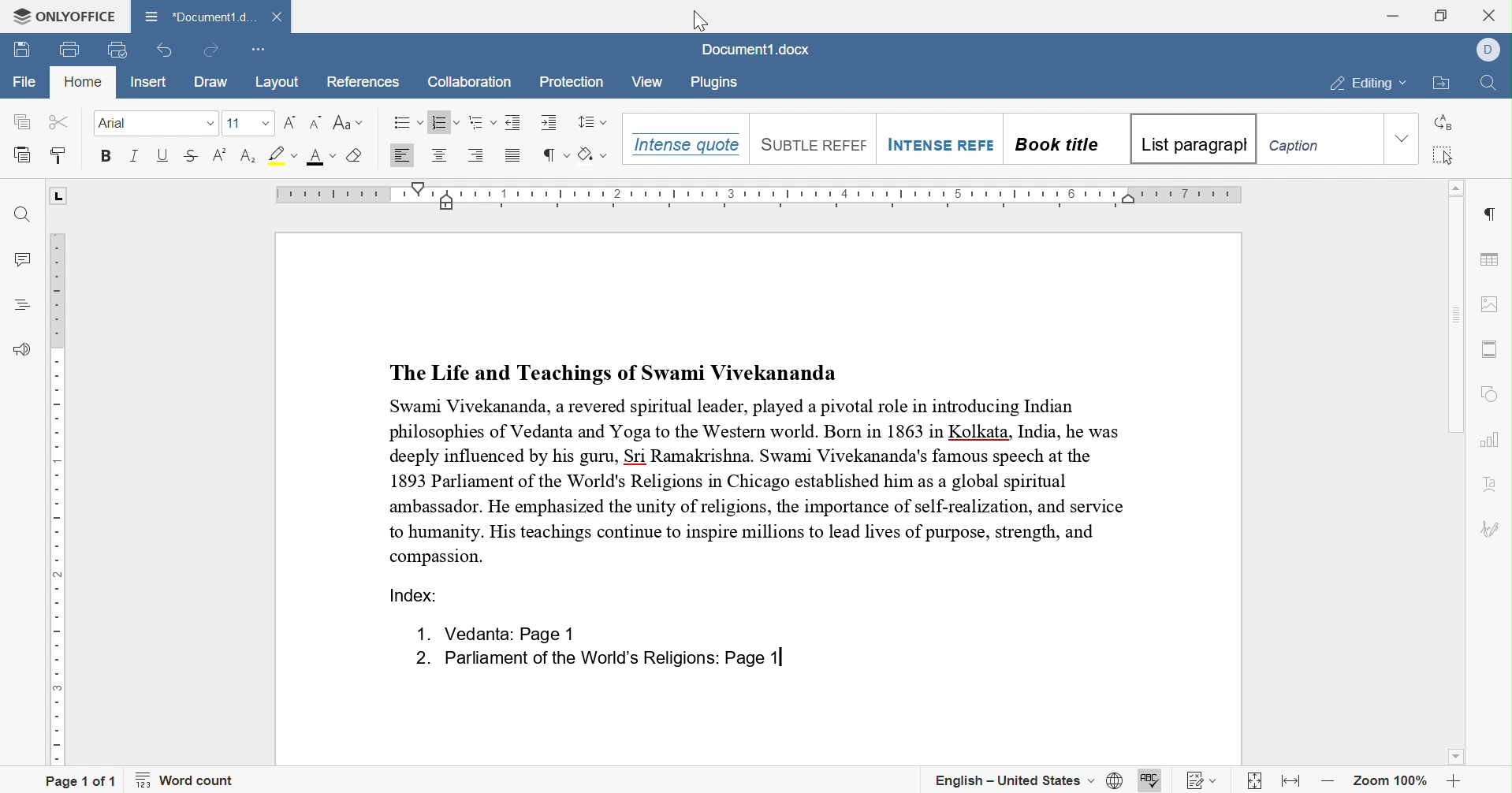 The image size is (1512, 793). What do you see at coordinates (1488, 532) in the screenshot?
I see `signature settings` at bounding box center [1488, 532].